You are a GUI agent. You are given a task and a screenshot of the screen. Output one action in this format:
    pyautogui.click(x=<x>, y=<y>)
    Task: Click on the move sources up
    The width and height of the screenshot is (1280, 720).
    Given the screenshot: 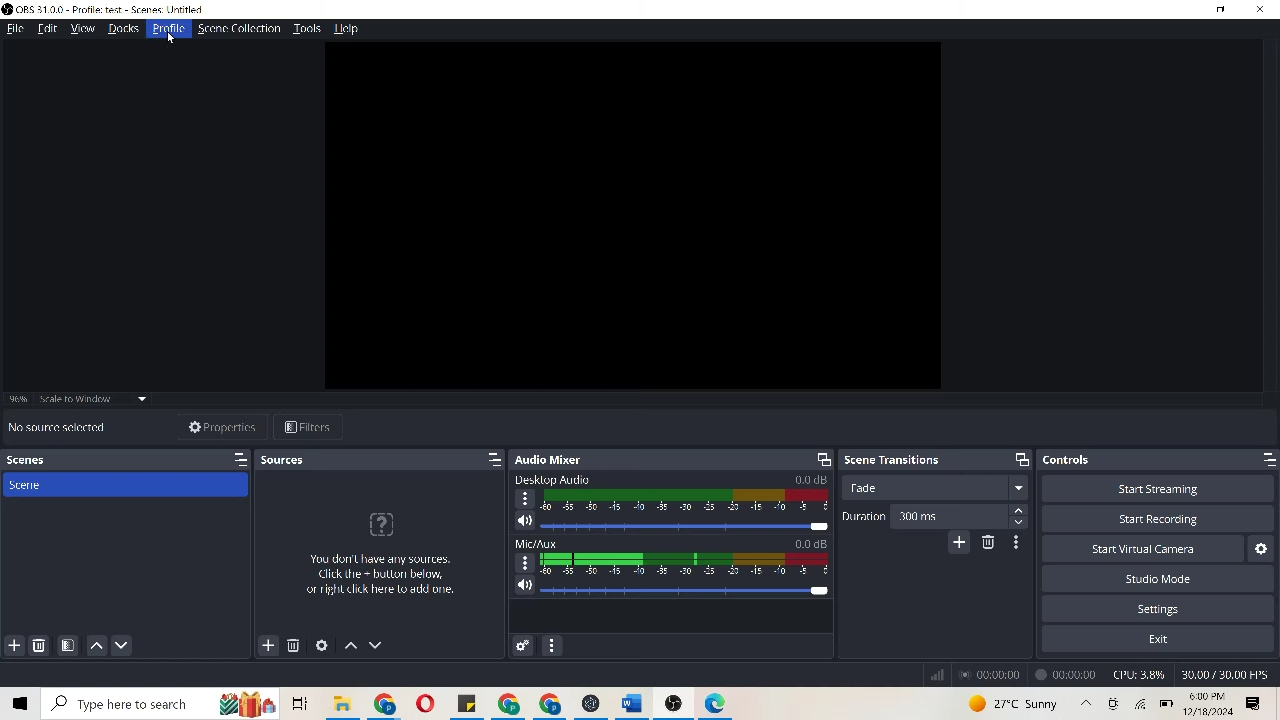 What is the action you would take?
    pyautogui.click(x=350, y=647)
    